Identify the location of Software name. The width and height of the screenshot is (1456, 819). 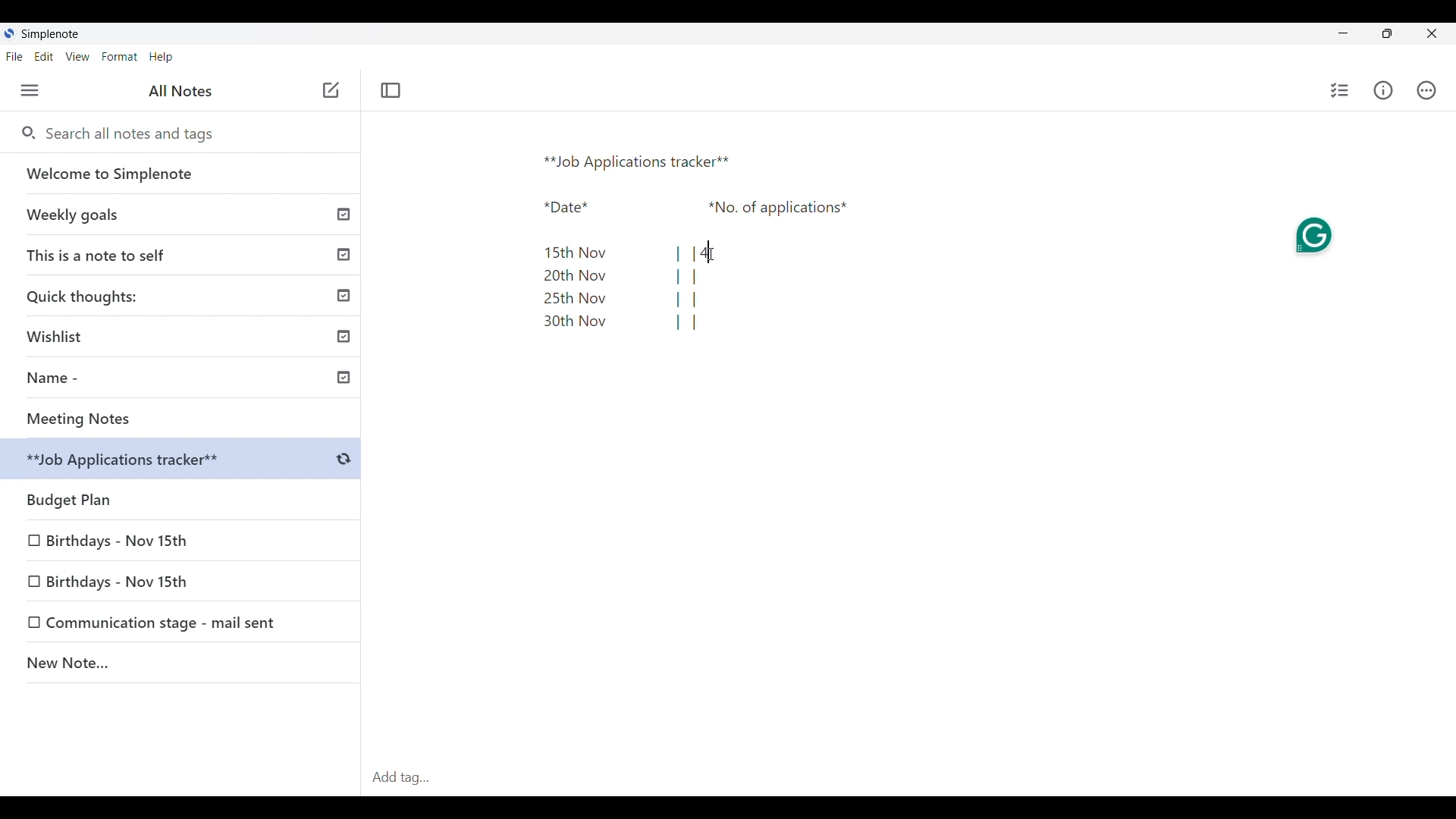
(50, 34).